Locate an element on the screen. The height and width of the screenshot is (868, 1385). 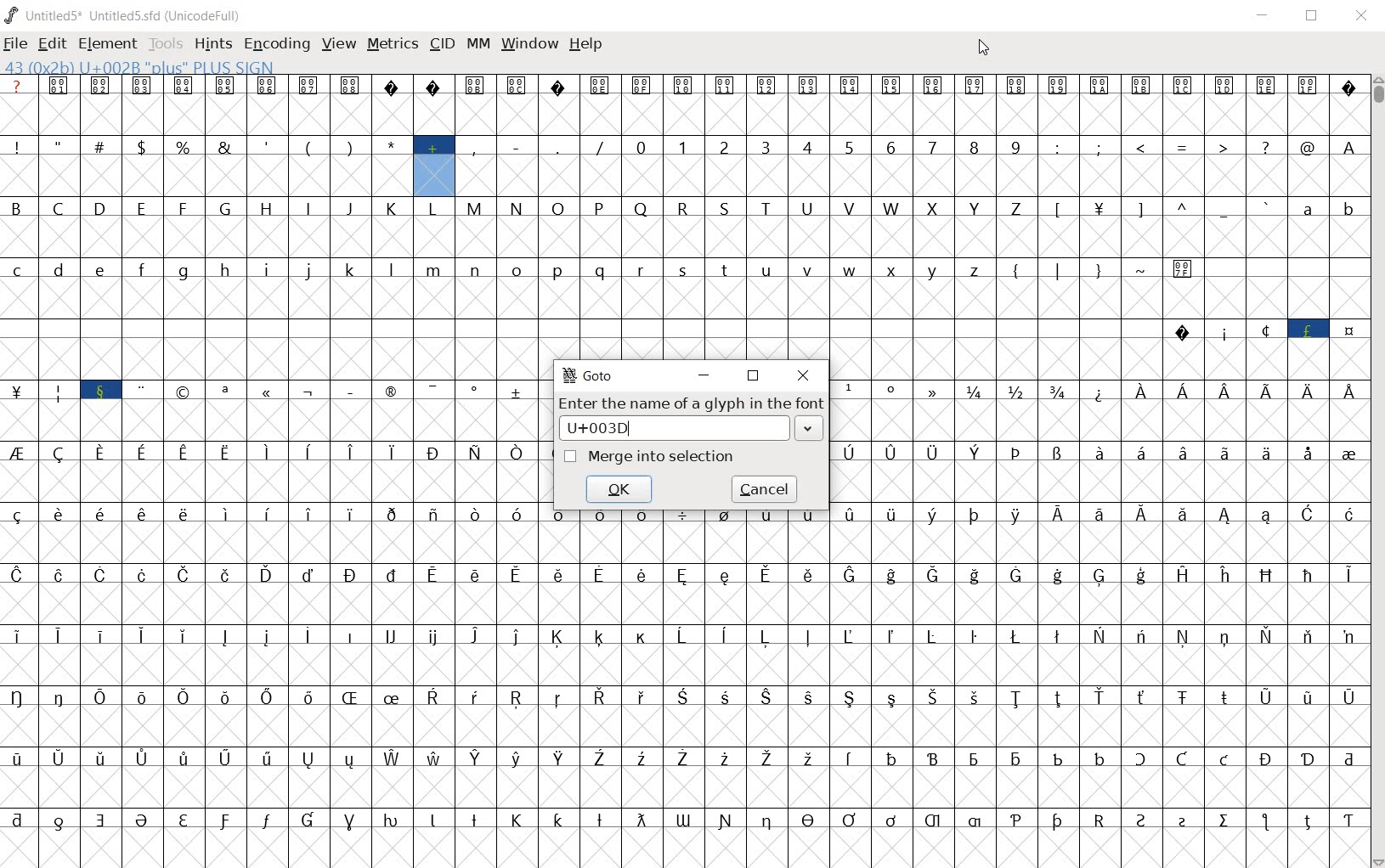
help is located at coordinates (585, 48).